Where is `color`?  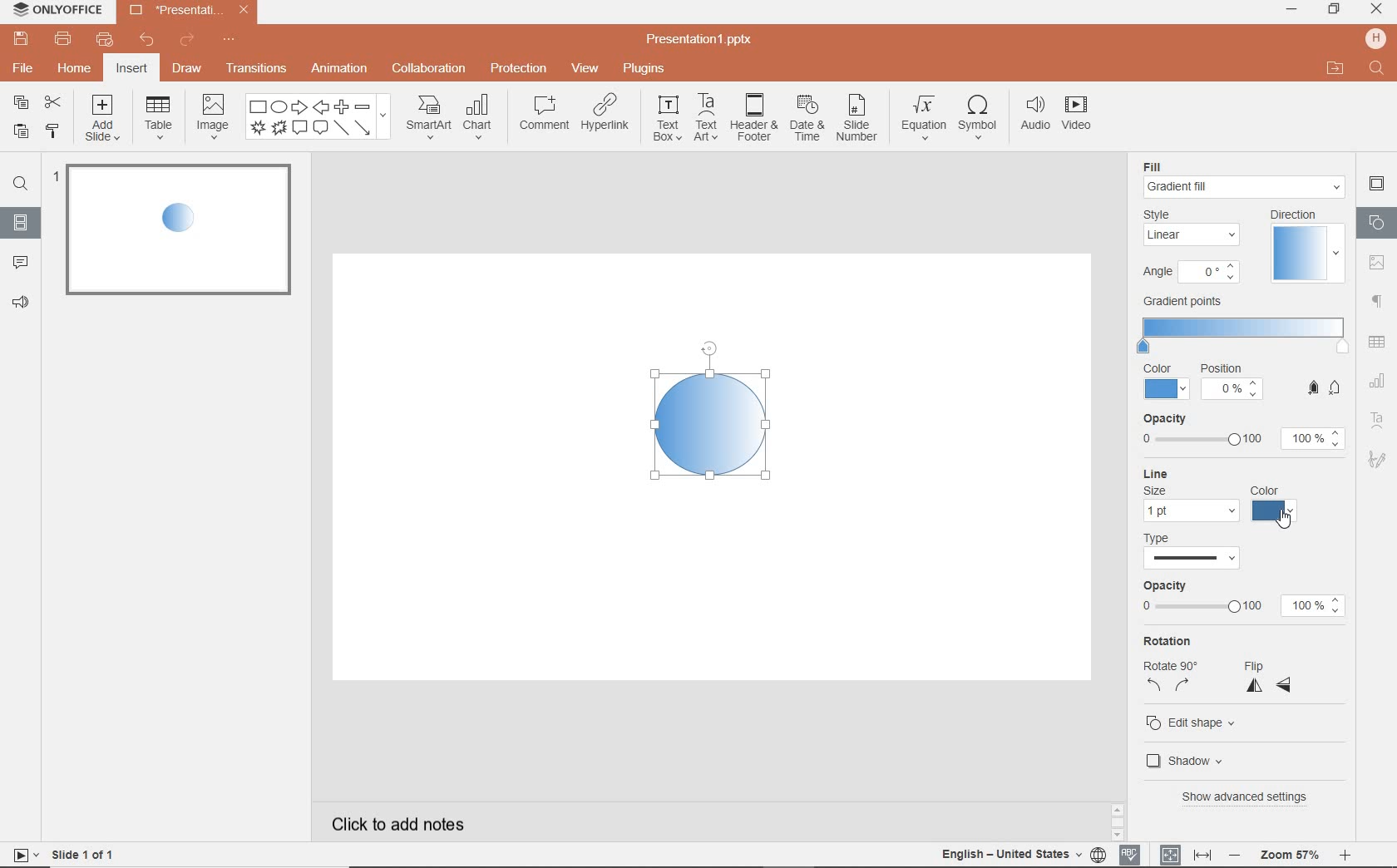
color is located at coordinates (1167, 382).